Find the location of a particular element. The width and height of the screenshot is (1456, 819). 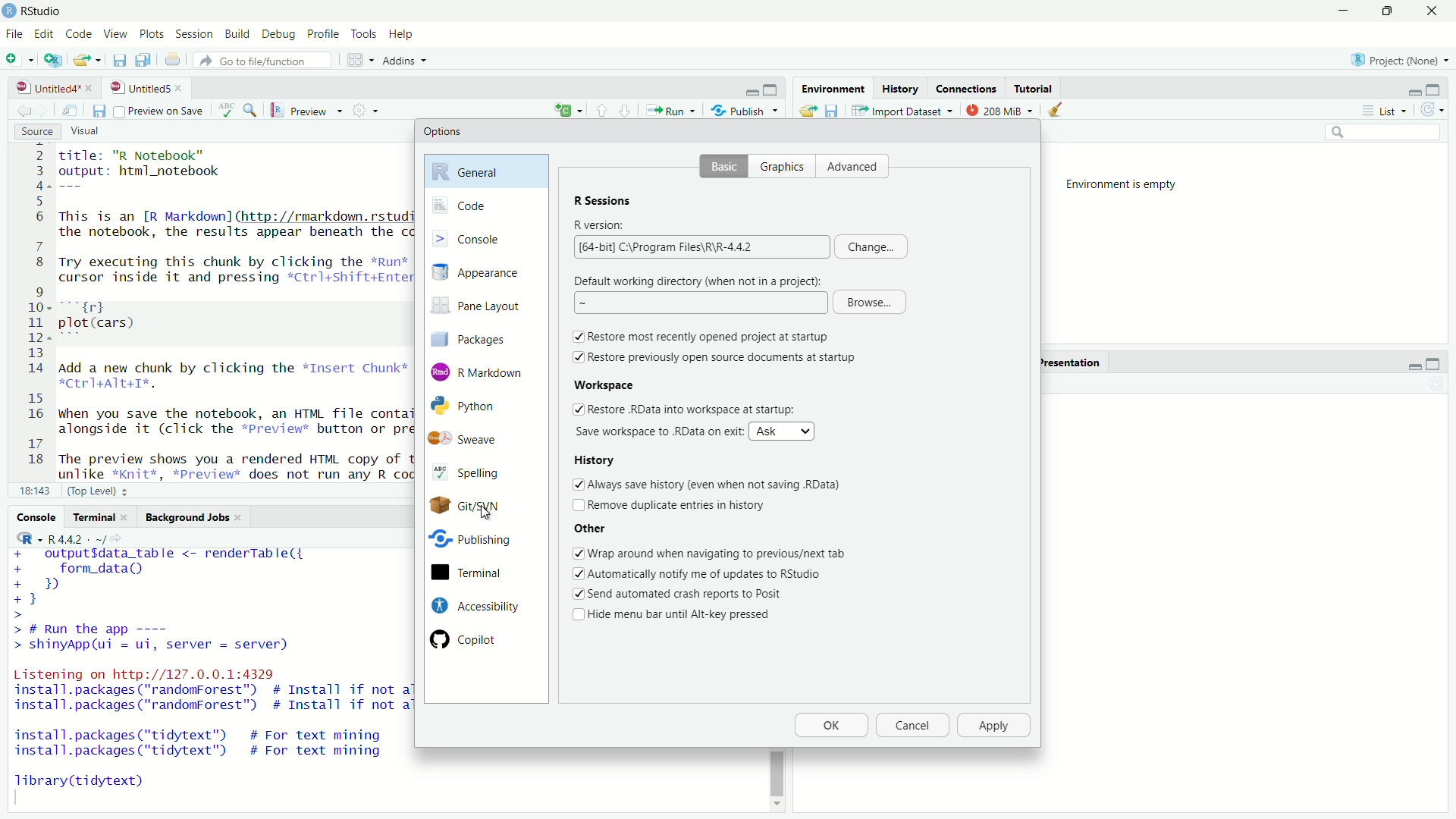

Run is located at coordinates (670, 110).